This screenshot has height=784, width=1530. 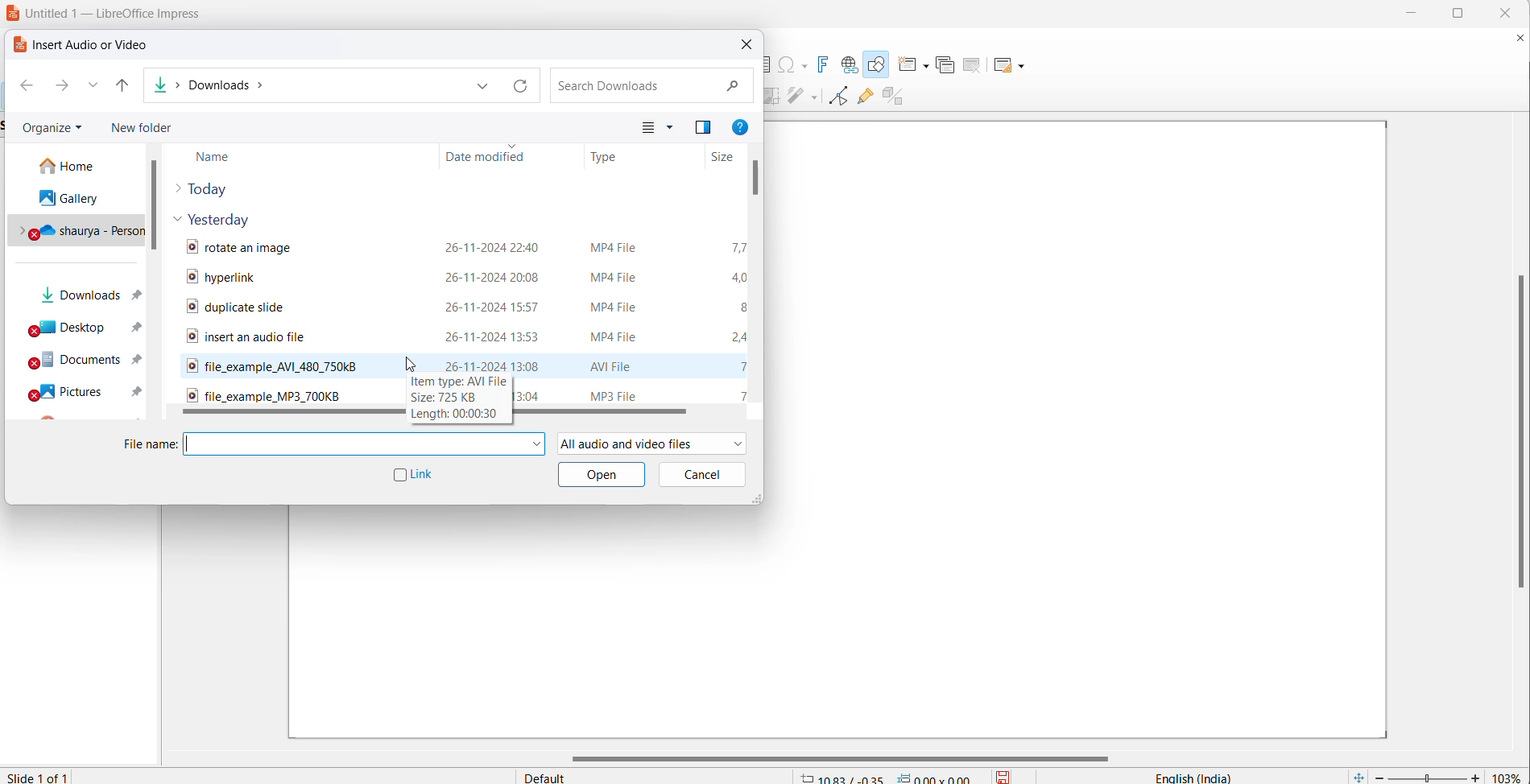 What do you see at coordinates (653, 444) in the screenshot?
I see `file formats allowed` at bounding box center [653, 444].